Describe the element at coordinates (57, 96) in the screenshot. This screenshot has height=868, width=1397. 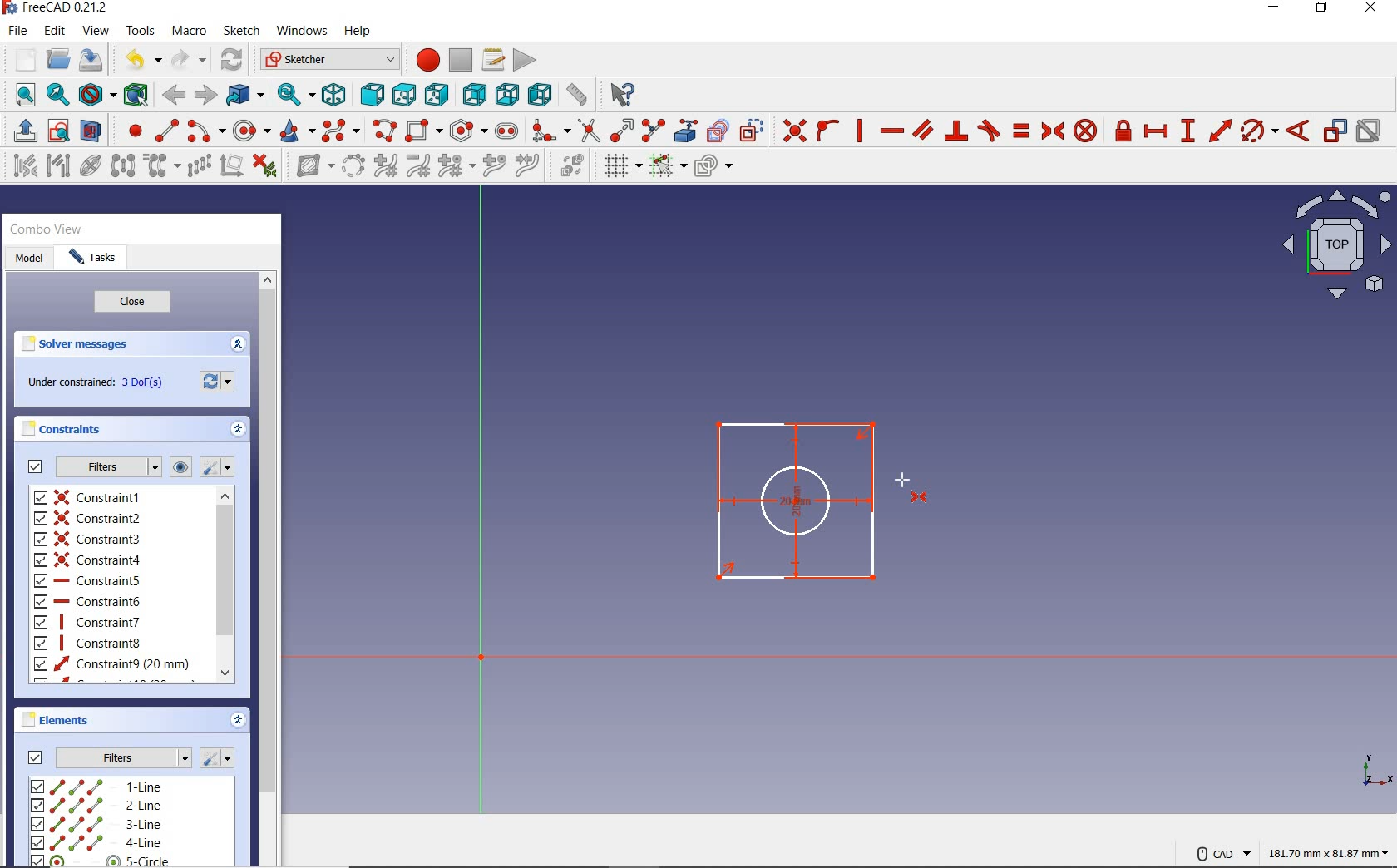
I see `fit selection` at that location.